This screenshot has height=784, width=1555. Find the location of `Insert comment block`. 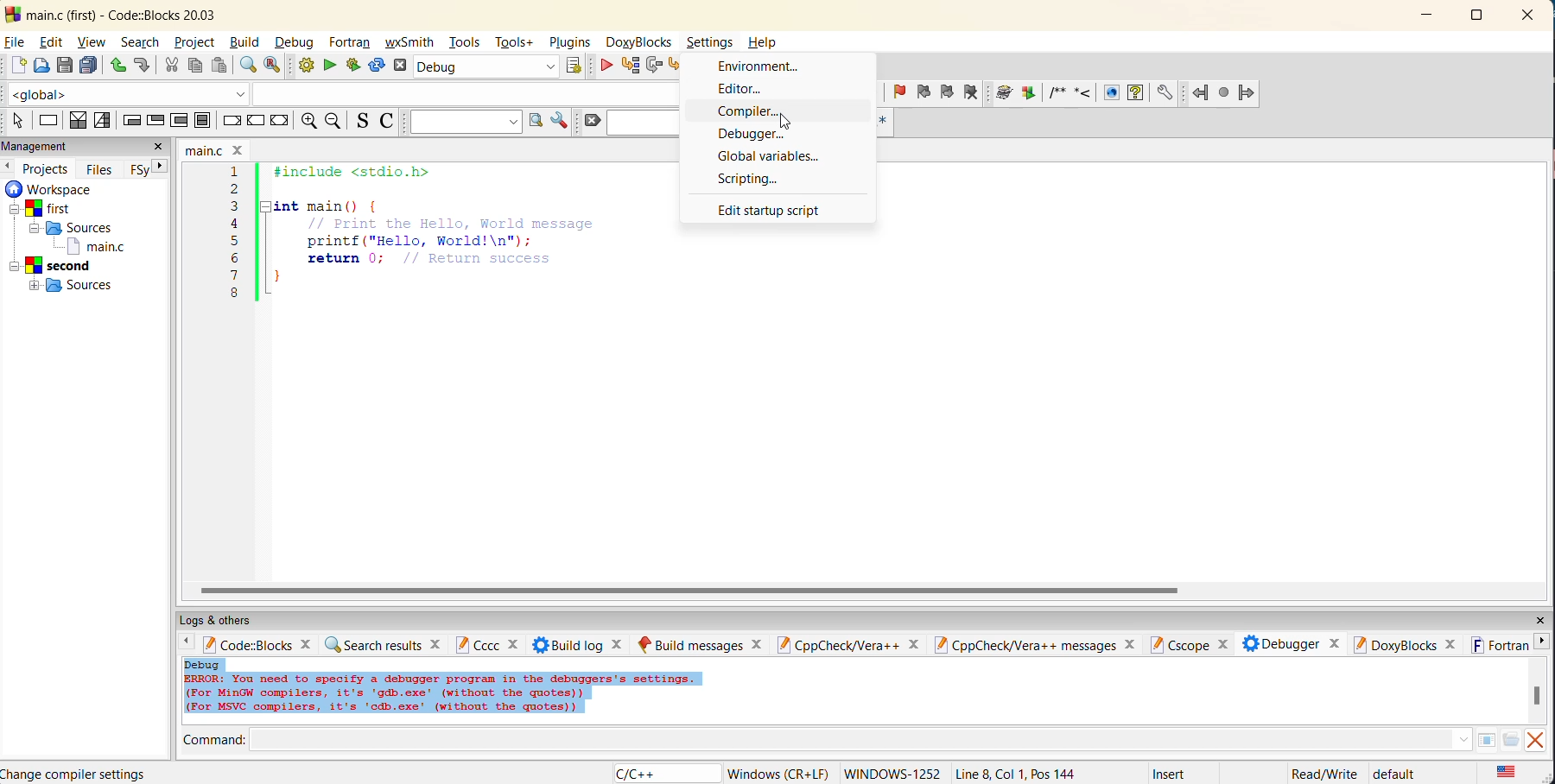

Insert comment block is located at coordinates (1054, 97).